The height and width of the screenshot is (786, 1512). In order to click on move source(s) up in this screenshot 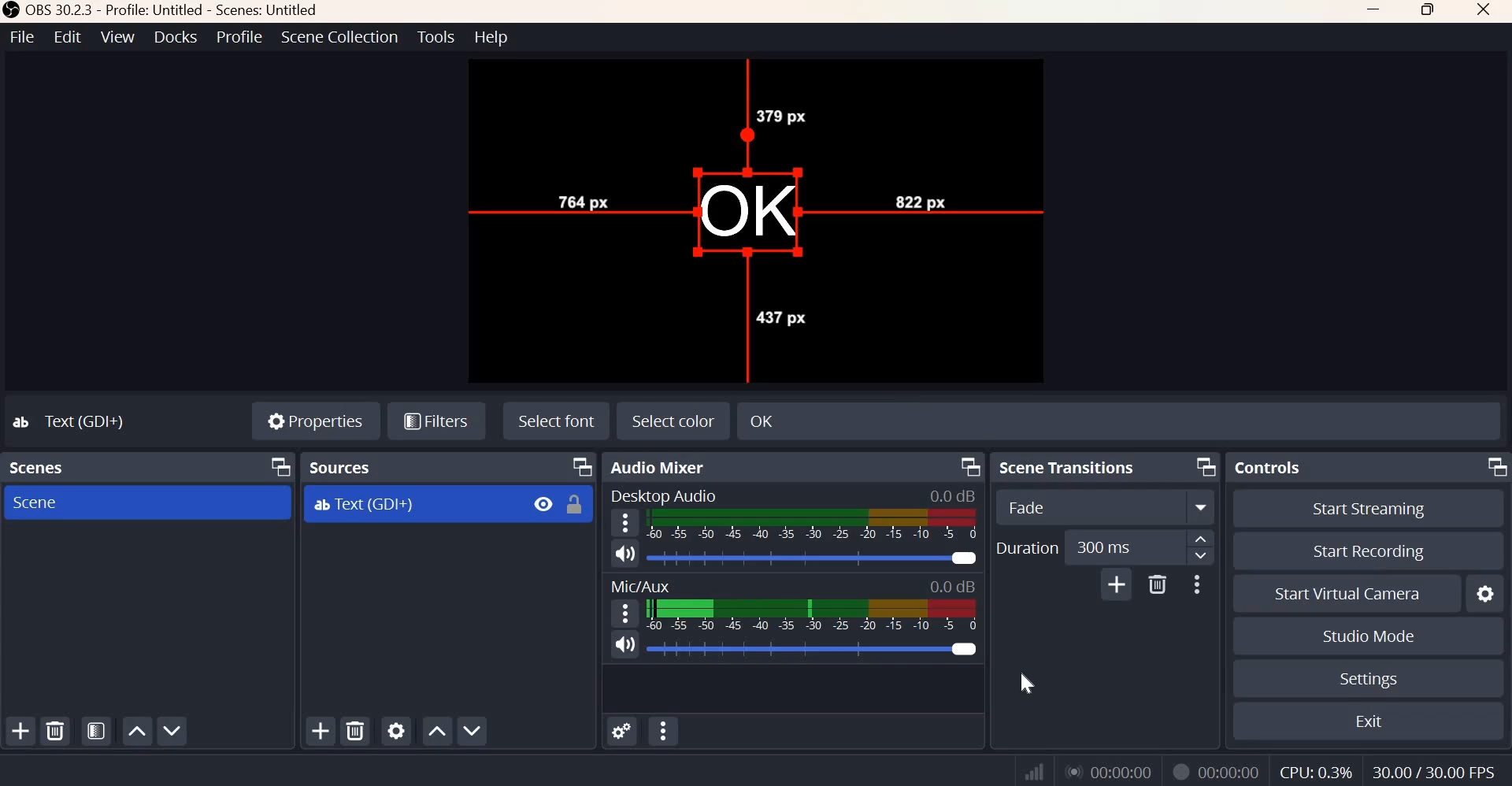, I will do `click(437, 732)`.